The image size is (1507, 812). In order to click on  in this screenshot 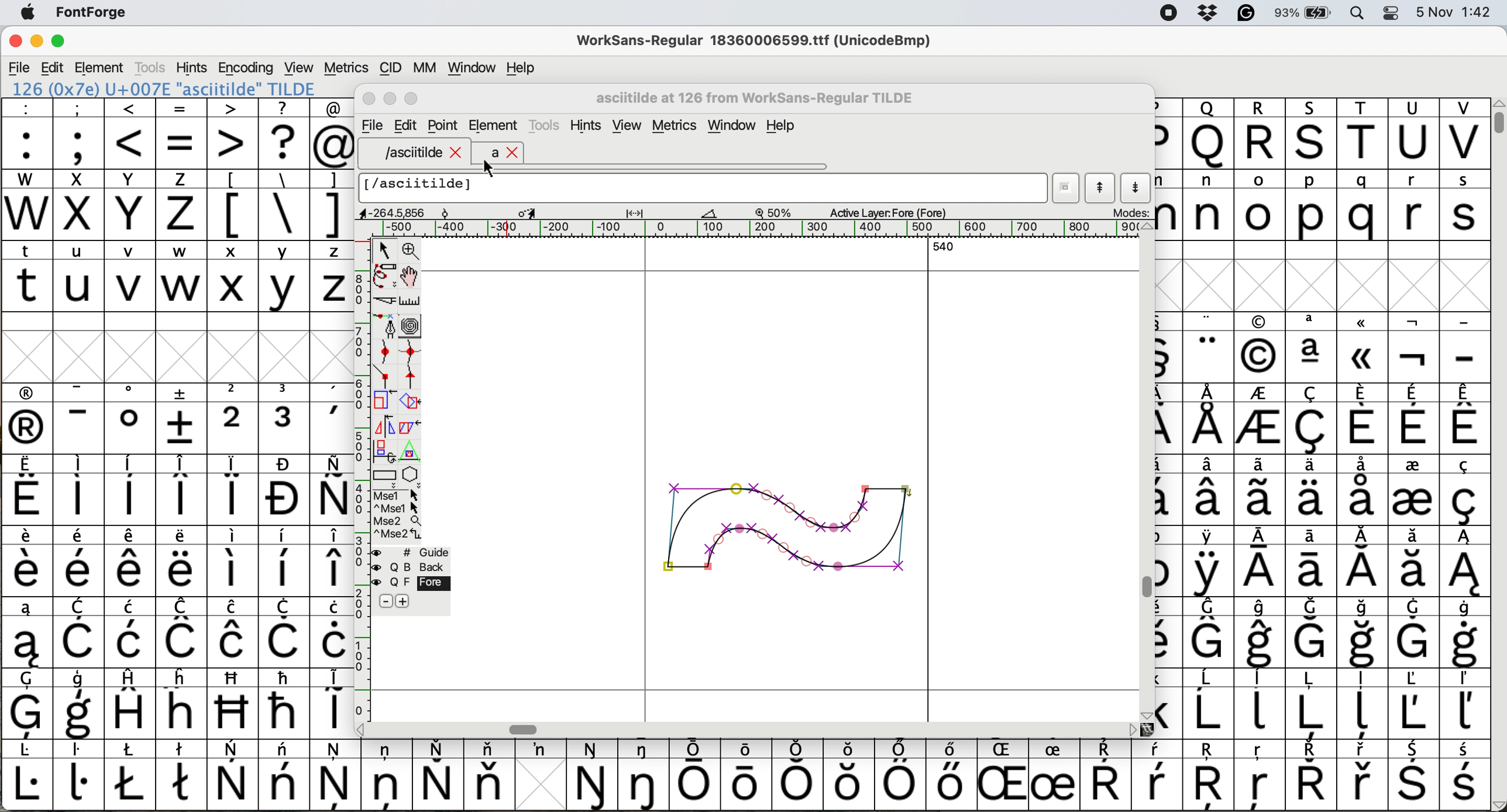, I will do `click(850, 775)`.